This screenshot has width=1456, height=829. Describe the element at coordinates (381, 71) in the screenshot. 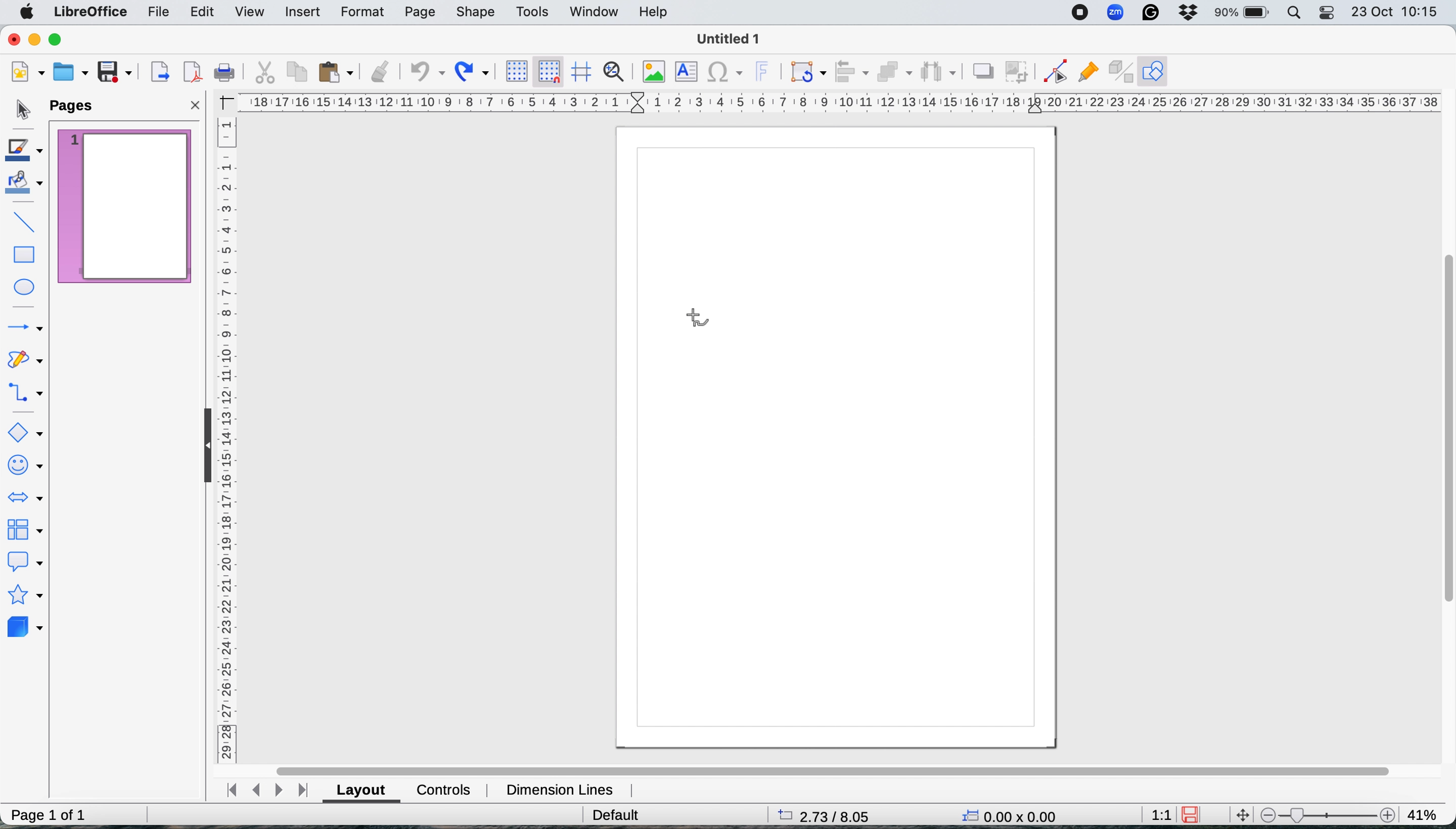

I see `clone formatting` at that location.